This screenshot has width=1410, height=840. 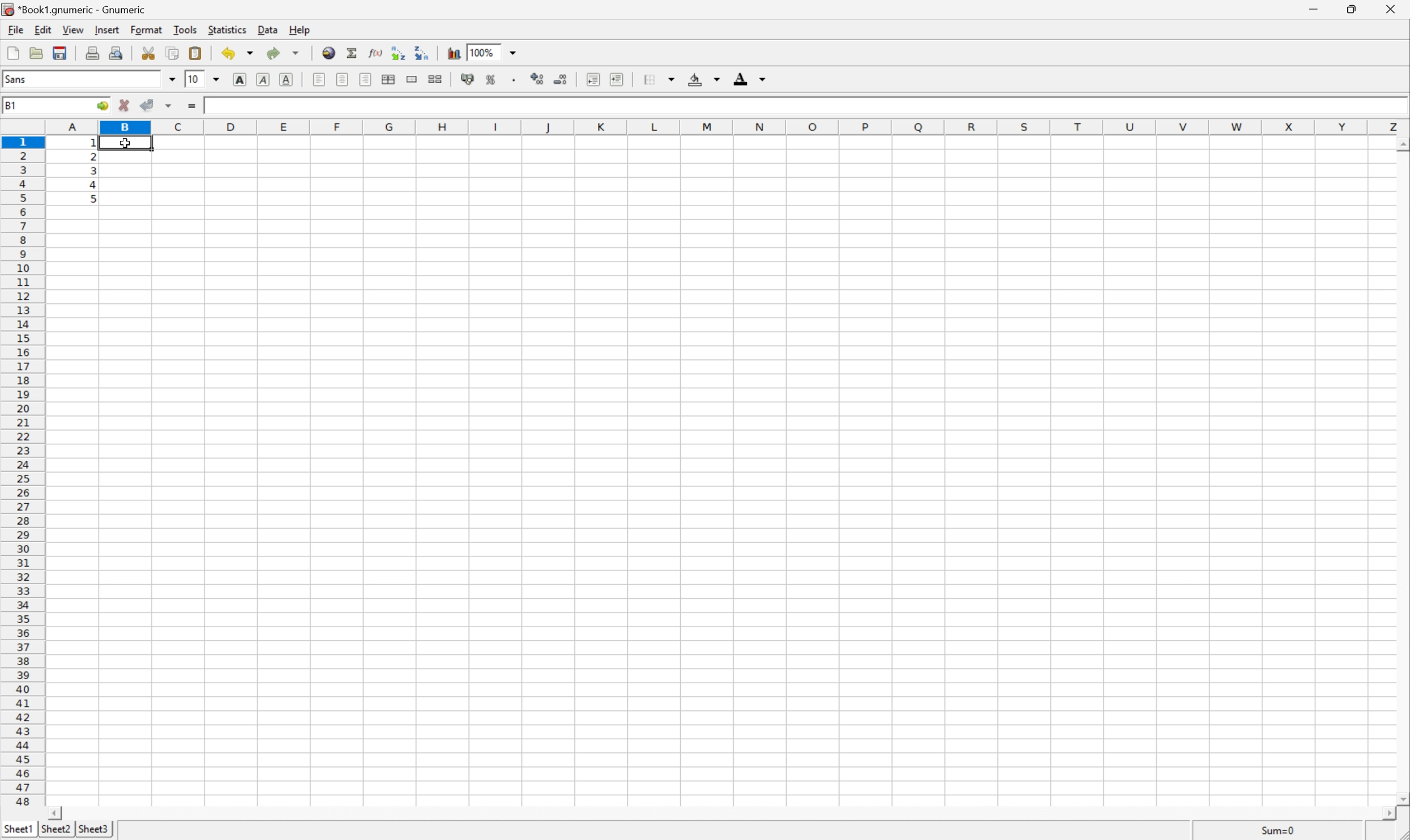 What do you see at coordinates (454, 52) in the screenshot?
I see `Insert chart` at bounding box center [454, 52].